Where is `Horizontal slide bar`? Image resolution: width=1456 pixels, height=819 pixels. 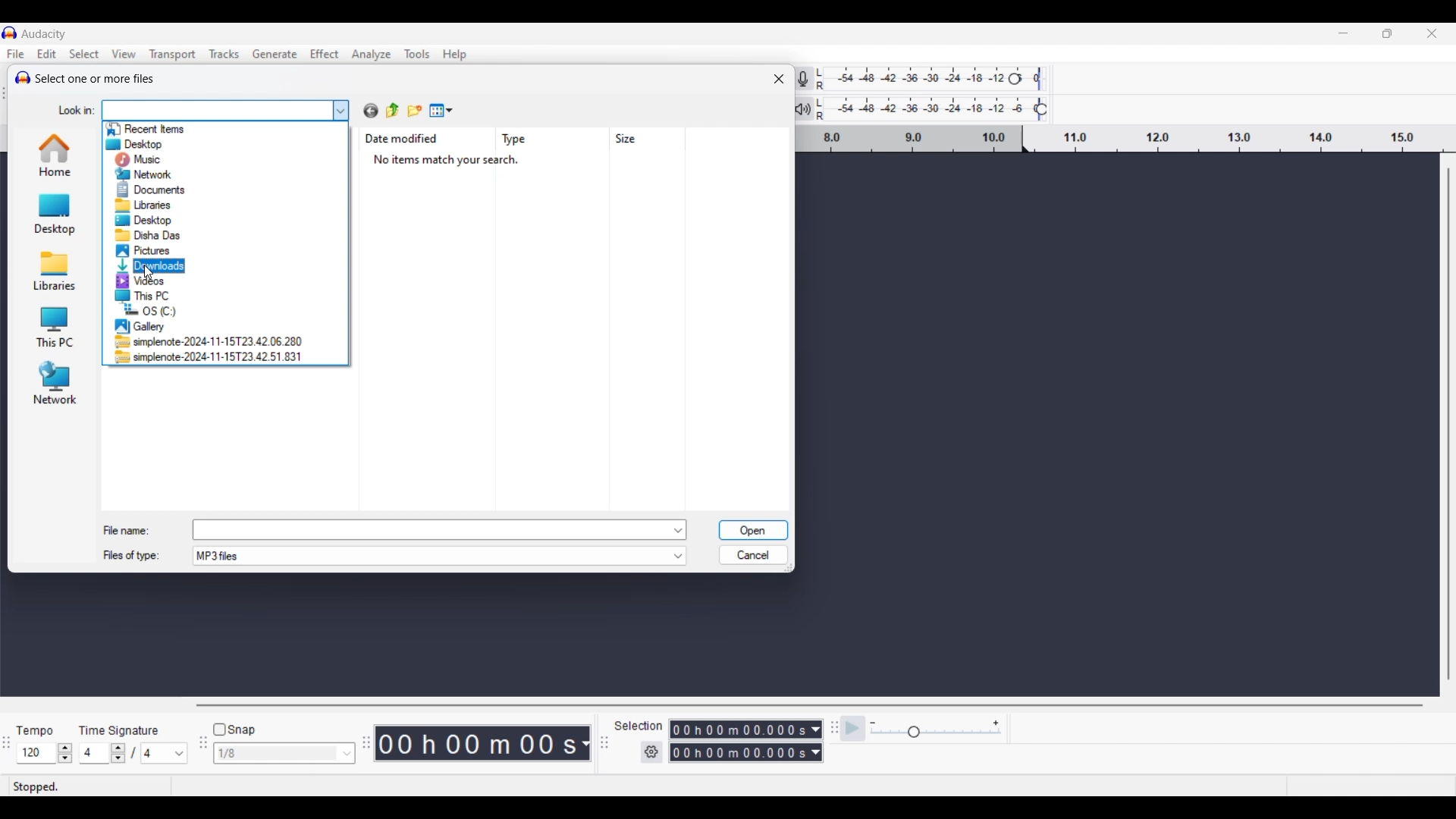 Horizontal slide bar is located at coordinates (808, 706).